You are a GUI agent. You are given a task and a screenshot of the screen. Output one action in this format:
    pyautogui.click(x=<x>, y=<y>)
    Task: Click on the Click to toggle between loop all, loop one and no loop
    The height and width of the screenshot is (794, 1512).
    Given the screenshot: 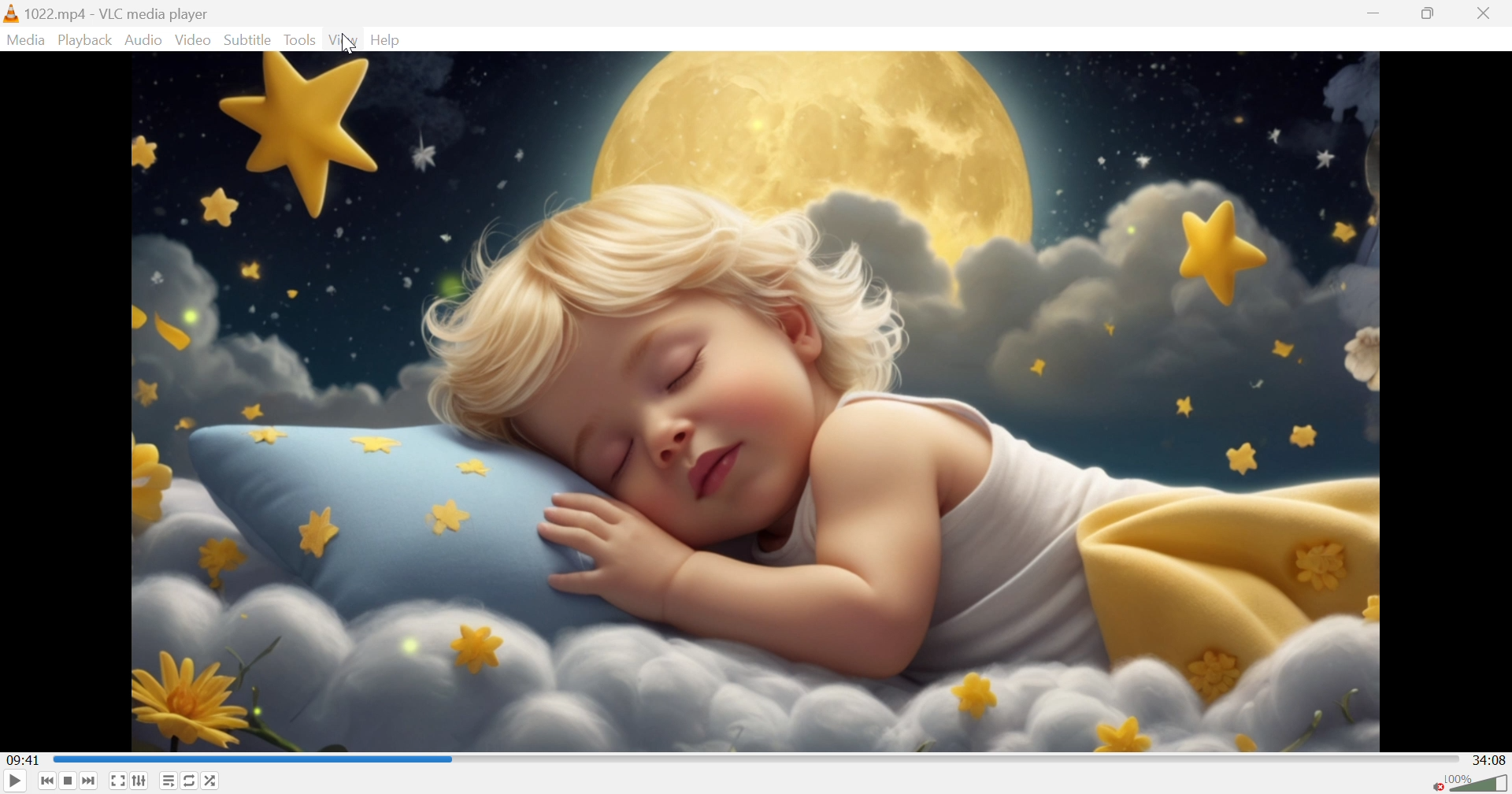 What is the action you would take?
    pyautogui.click(x=192, y=781)
    